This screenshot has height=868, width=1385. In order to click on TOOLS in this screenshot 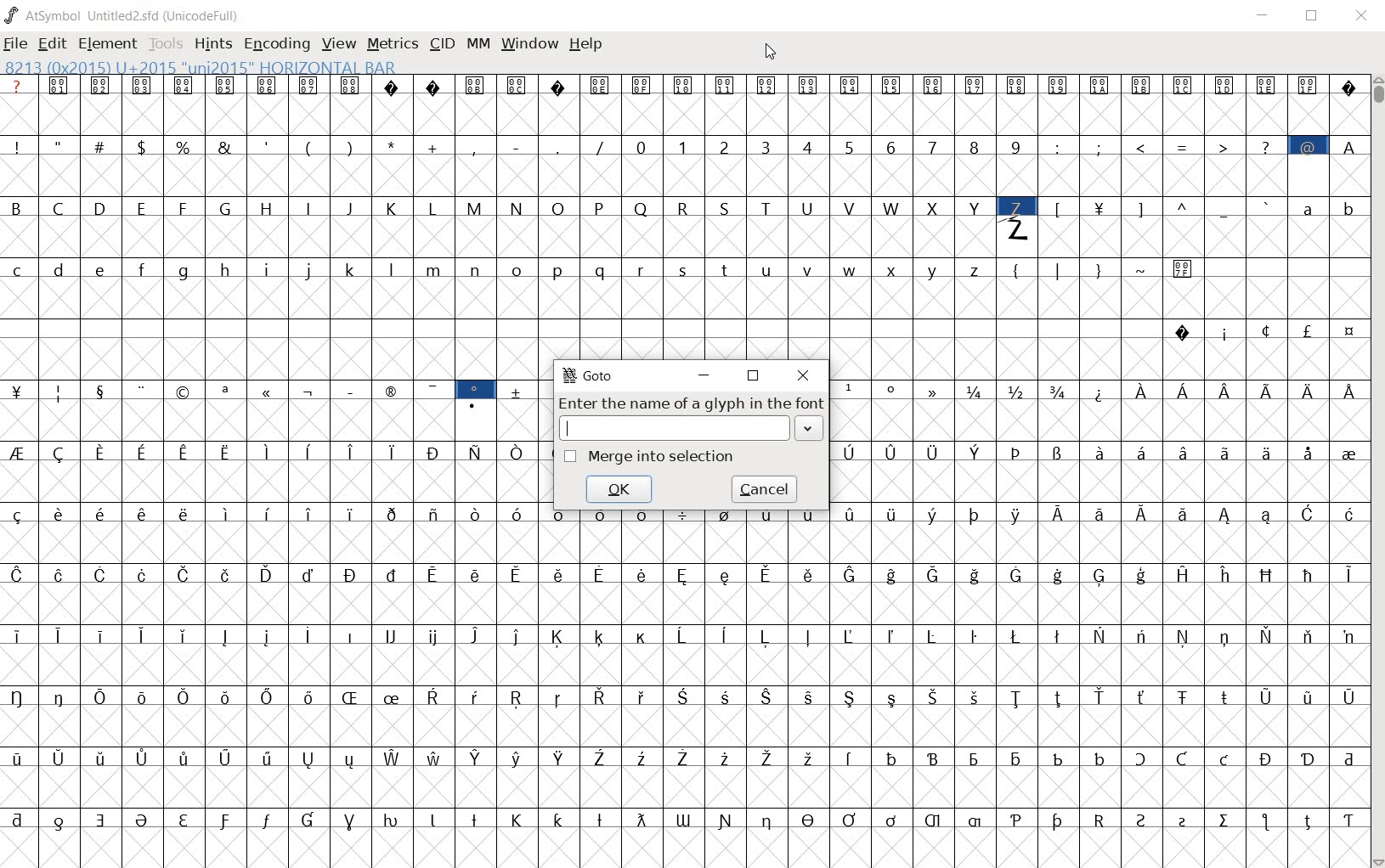, I will do `click(168, 45)`.